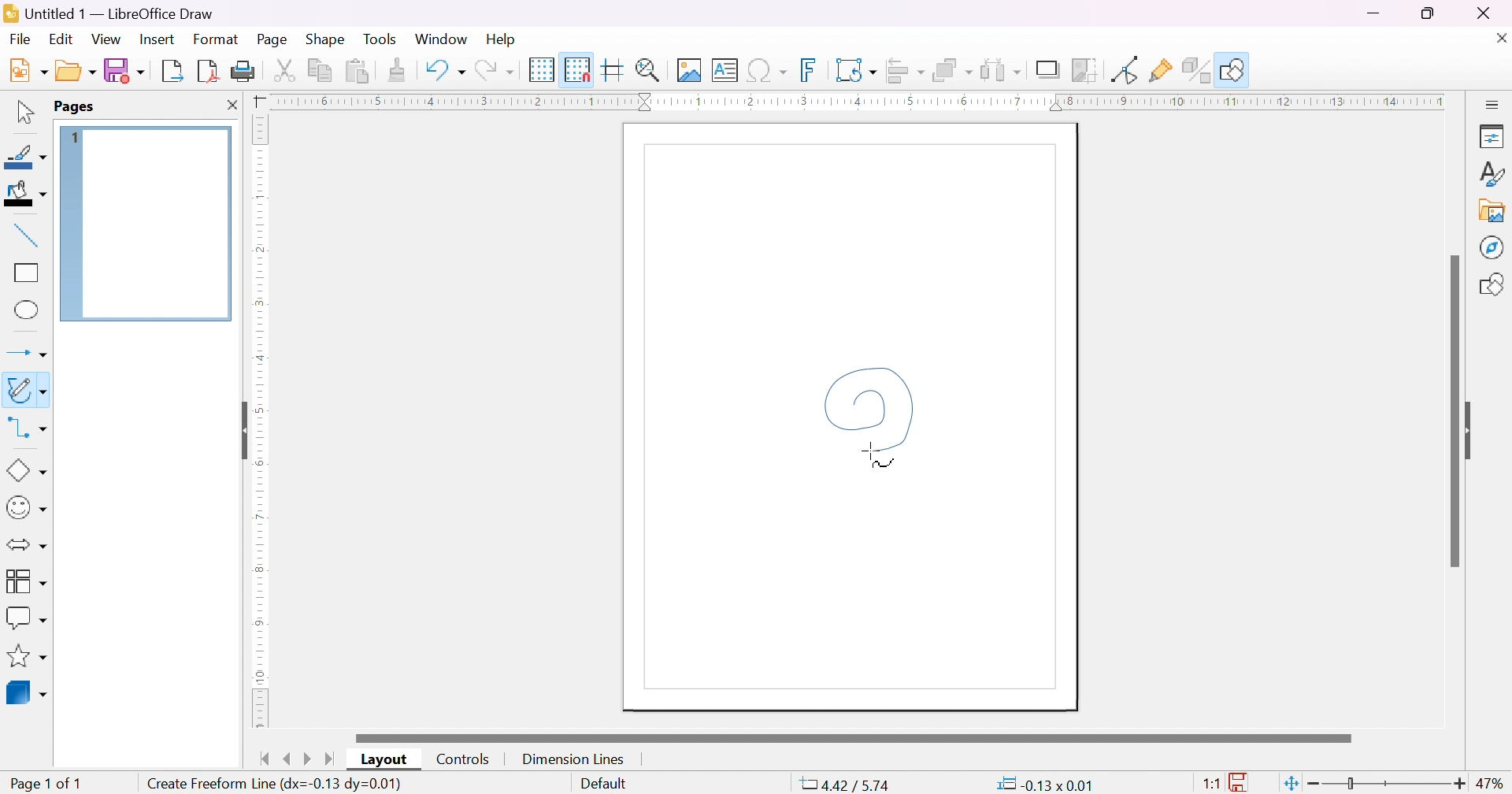  Describe the element at coordinates (325, 37) in the screenshot. I see `shape` at that location.